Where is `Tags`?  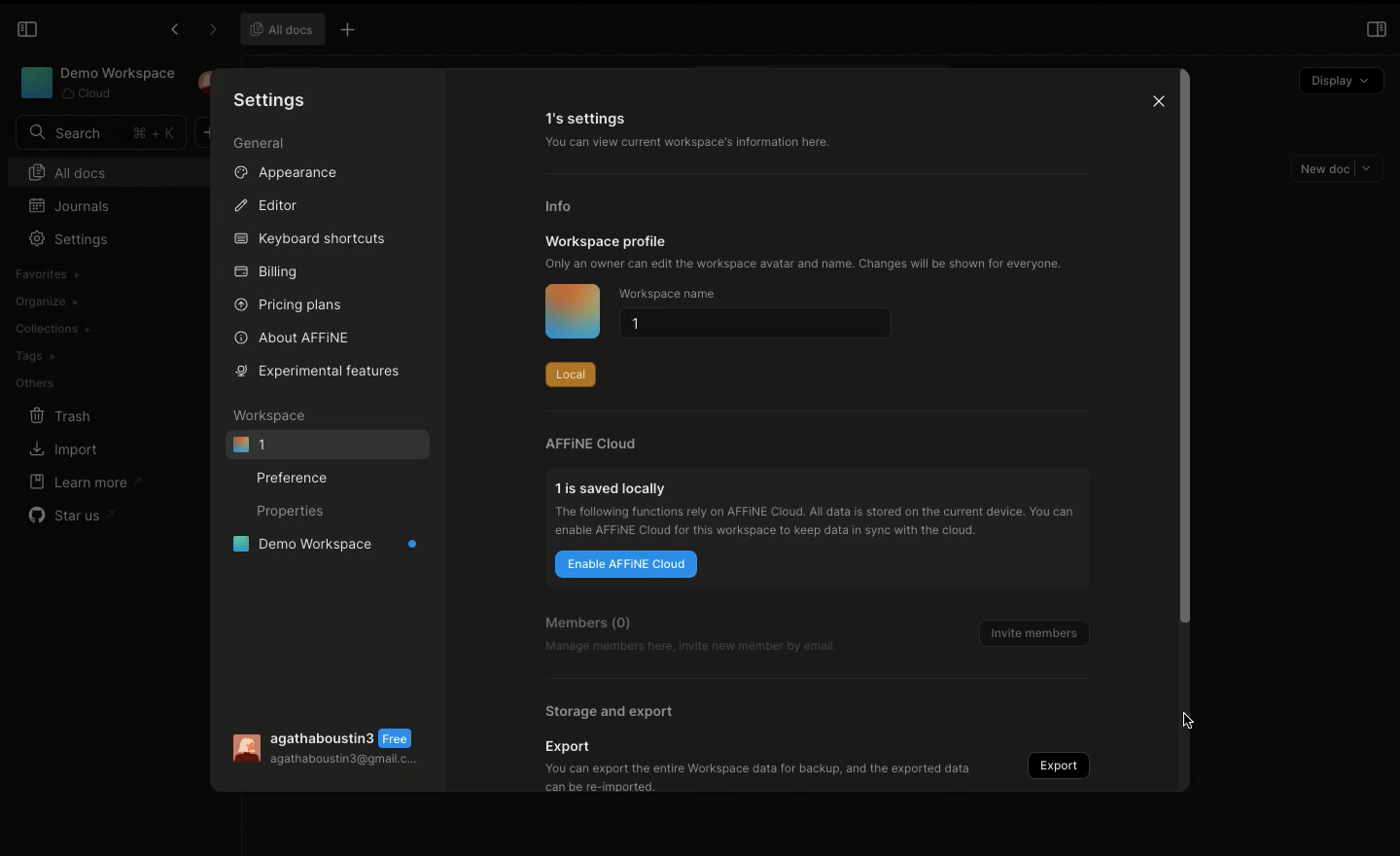
Tags is located at coordinates (35, 356).